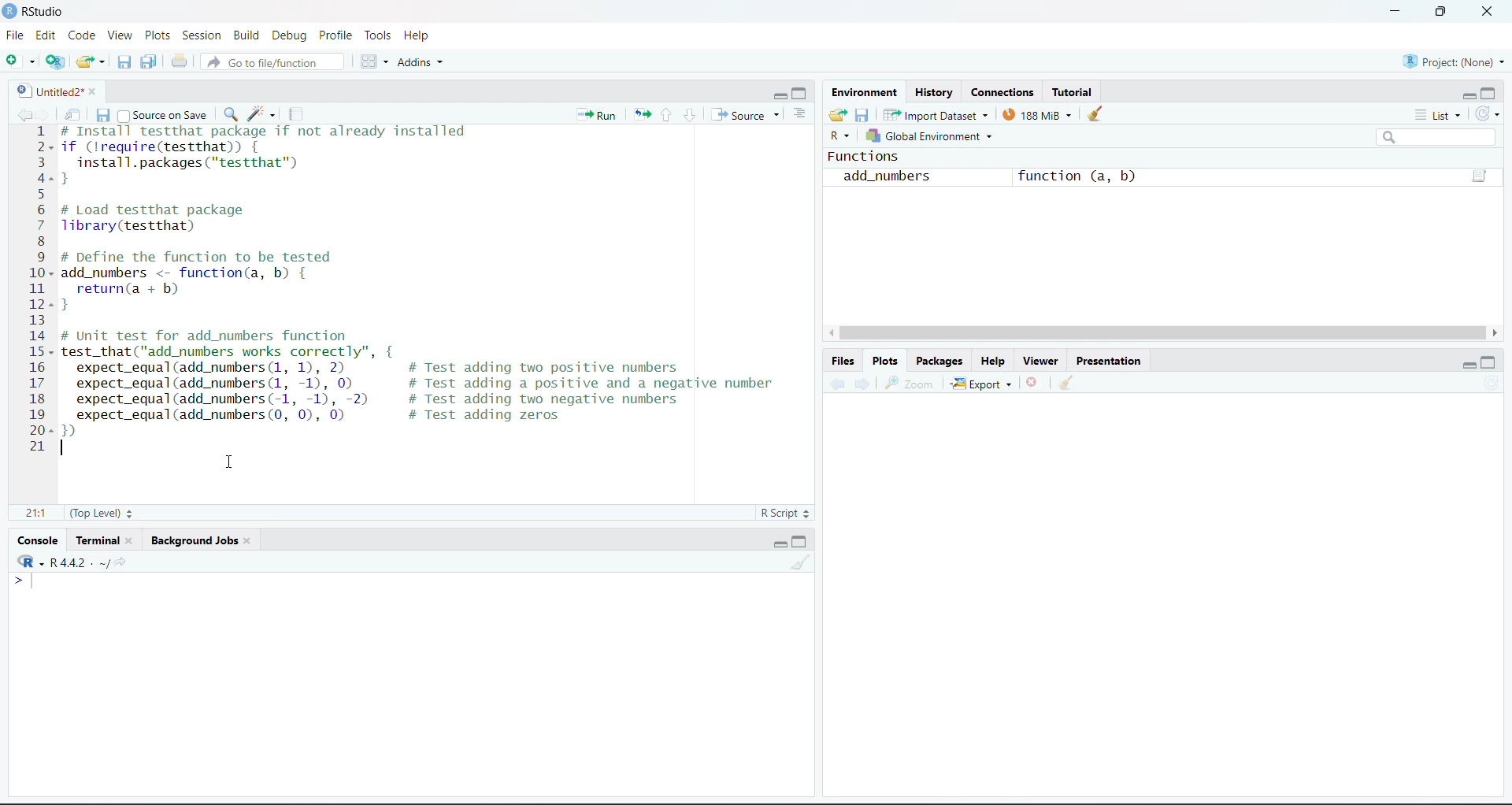 This screenshot has width=1512, height=805. I want to click on 21:1, so click(39, 514).